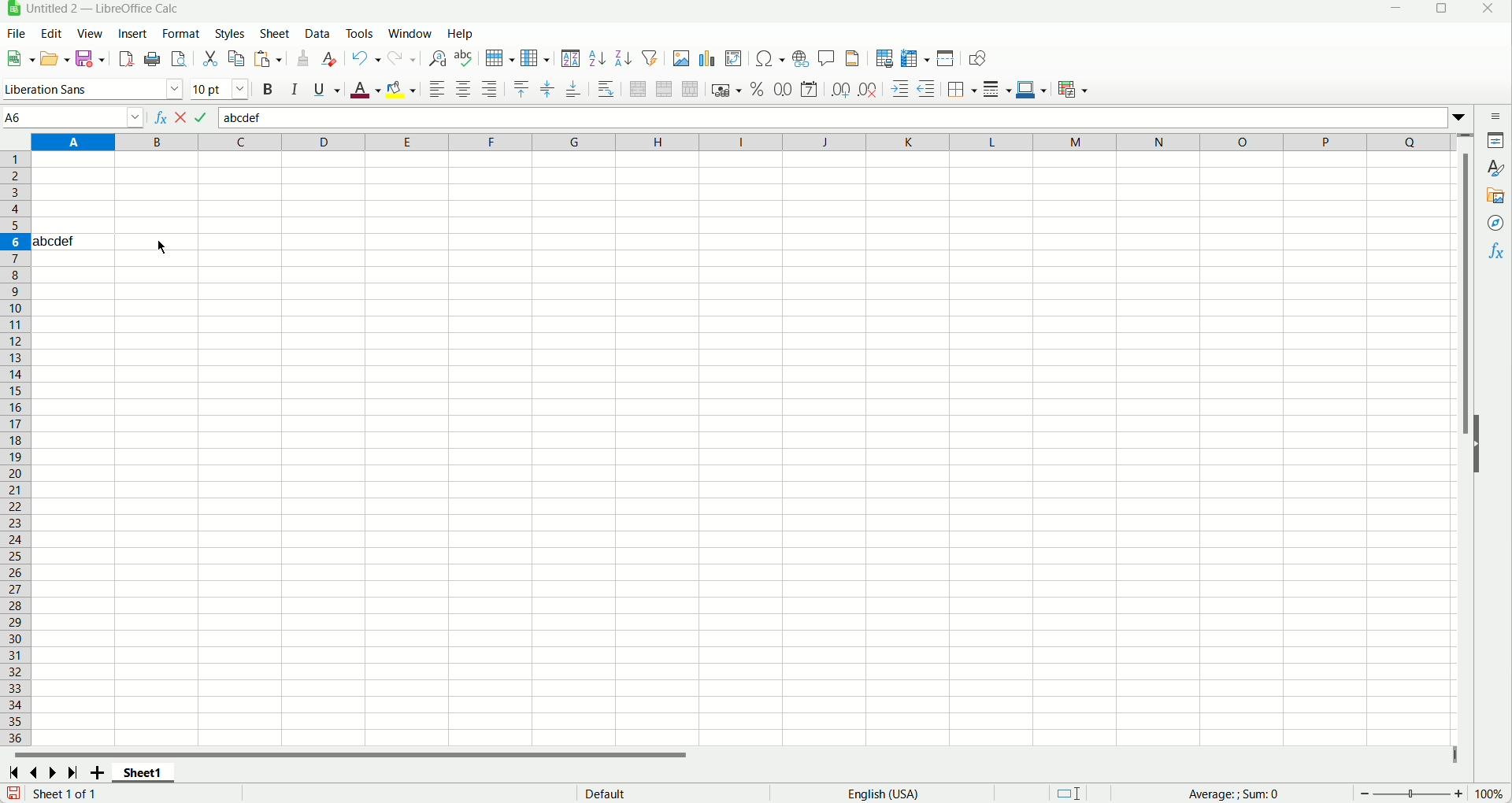  What do you see at coordinates (361, 33) in the screenshot?
I see `tools` at bounding box center [361, 33].